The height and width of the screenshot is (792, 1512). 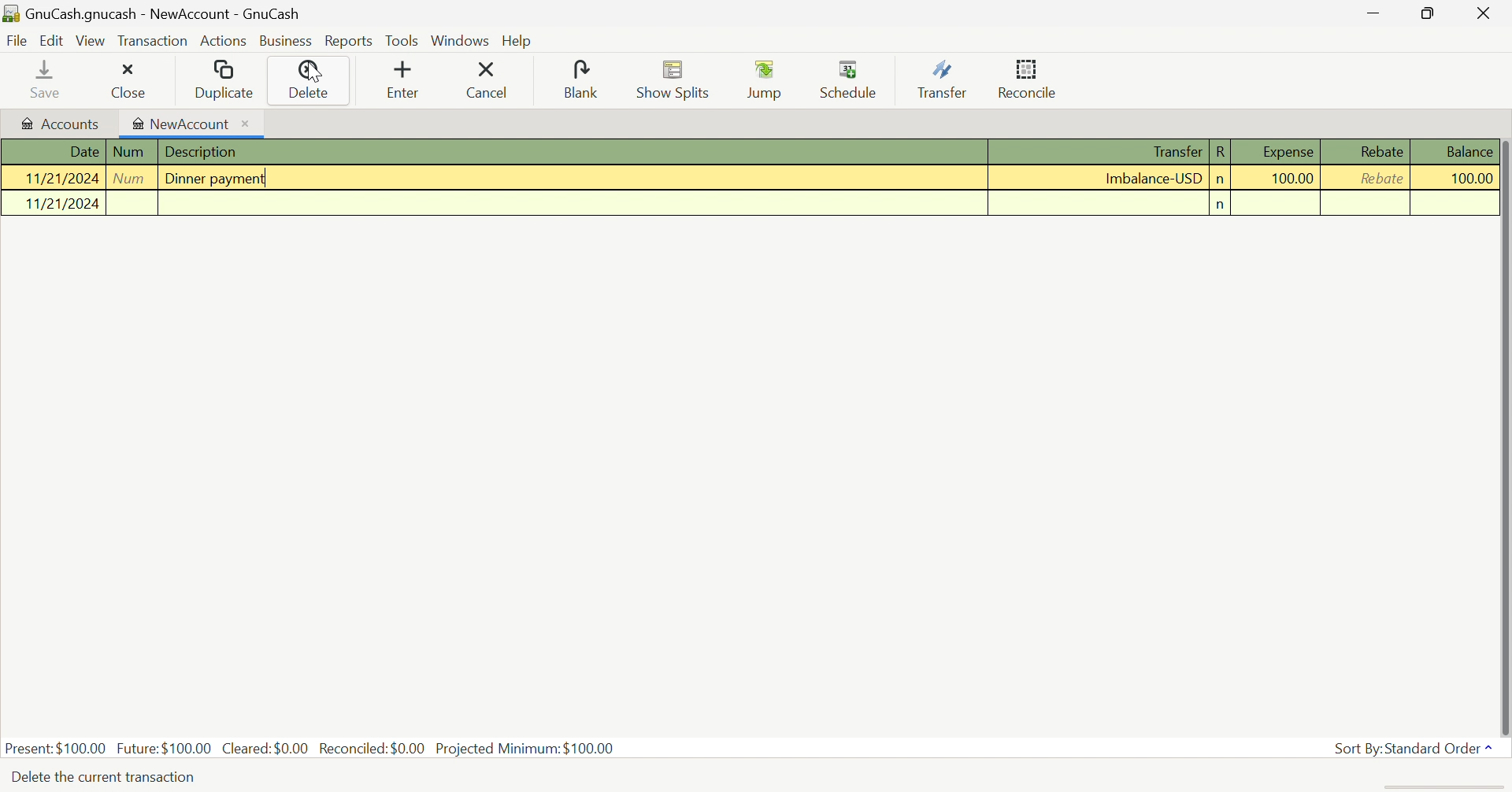 What do you see at coordinates (51, 40) in the screenshot?
I see `Edit` at bounding box center [51, 40].